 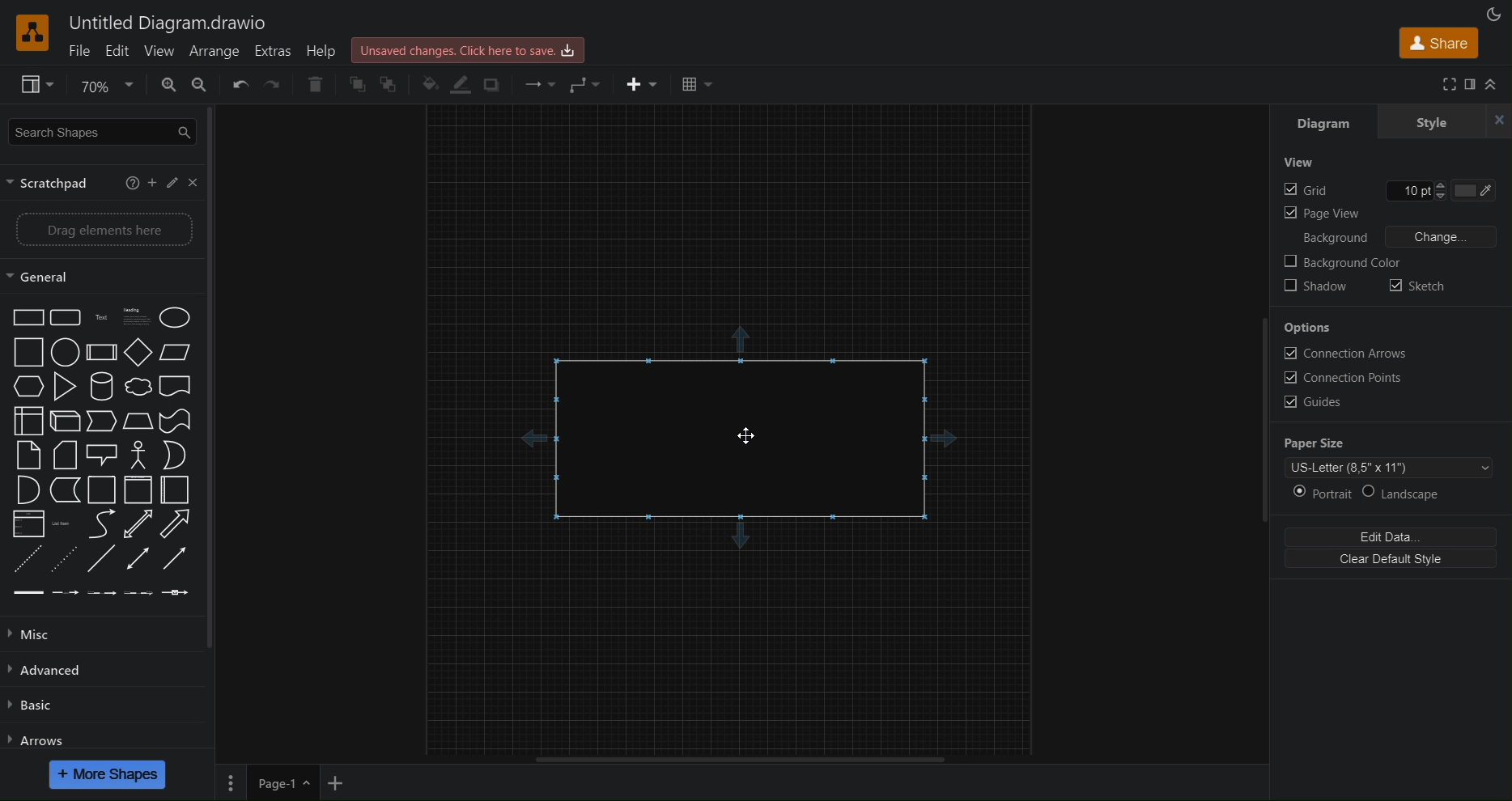 I want to click on Fill Color, so click(x=426, y=84).